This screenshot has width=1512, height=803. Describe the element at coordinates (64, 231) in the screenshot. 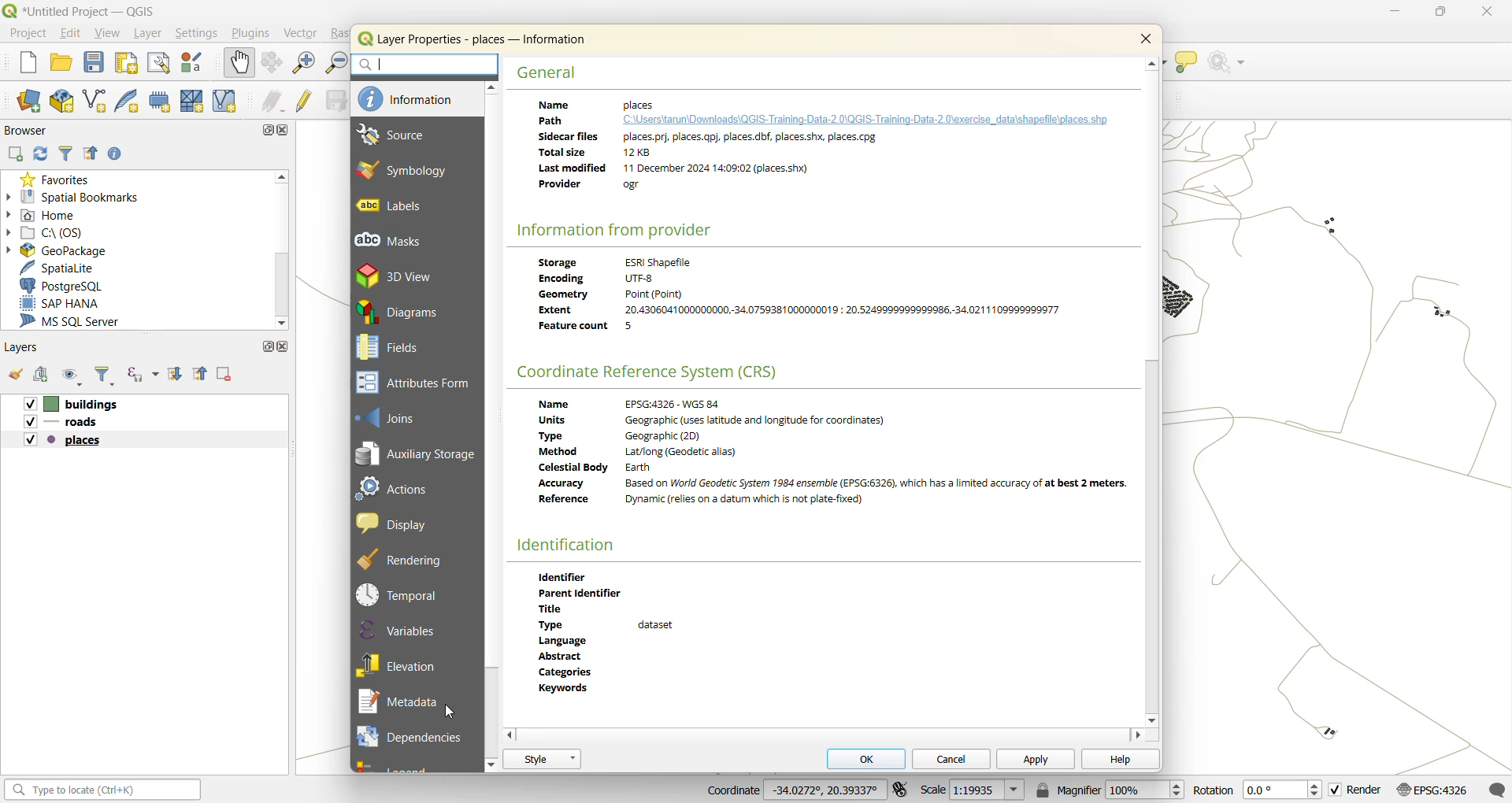

I see `c\:os` at that location.